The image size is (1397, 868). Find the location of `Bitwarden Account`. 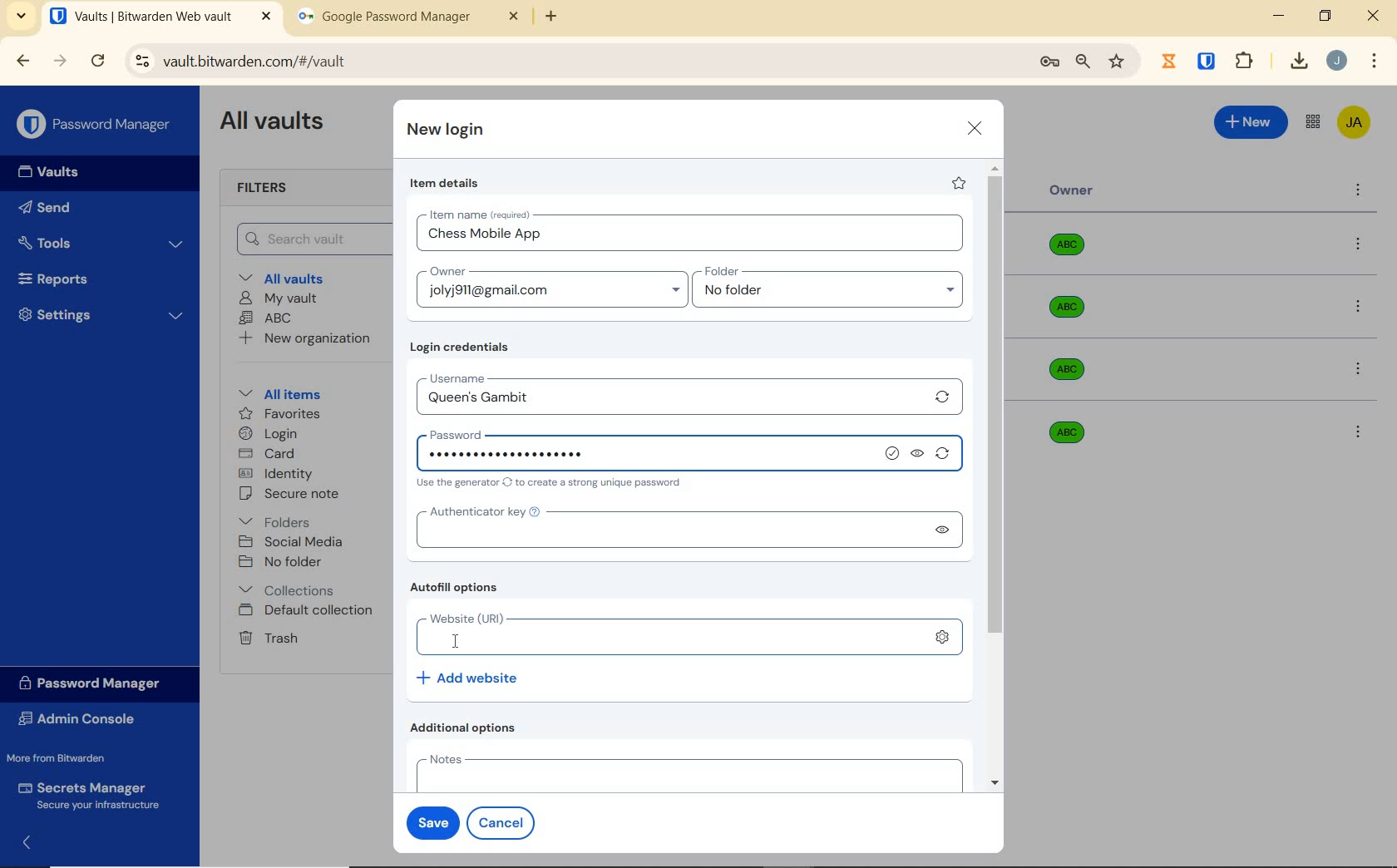

Bitwarden Account is located at coordinates (1354, 124).